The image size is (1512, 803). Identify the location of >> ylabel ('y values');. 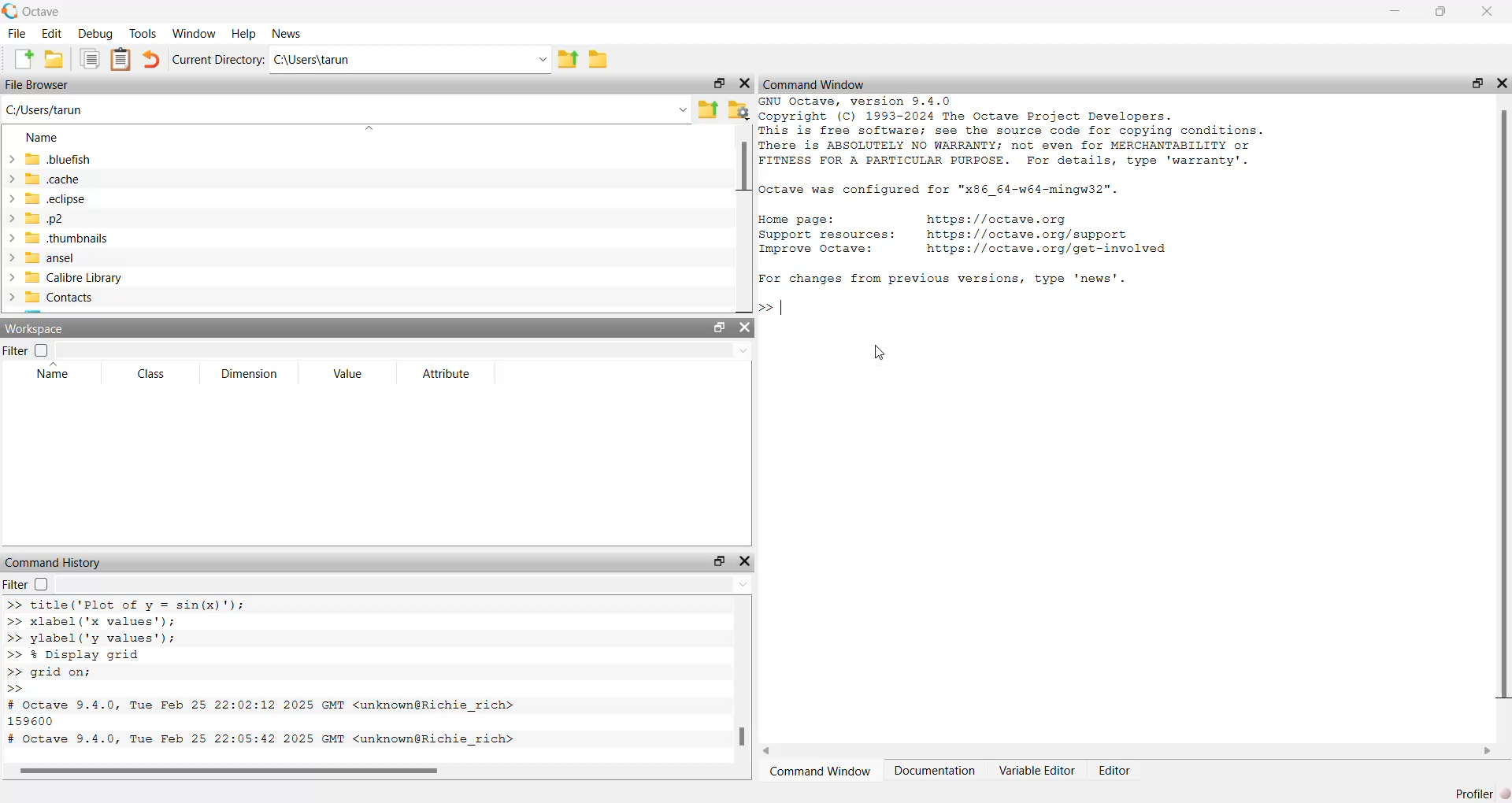
(106, 639).